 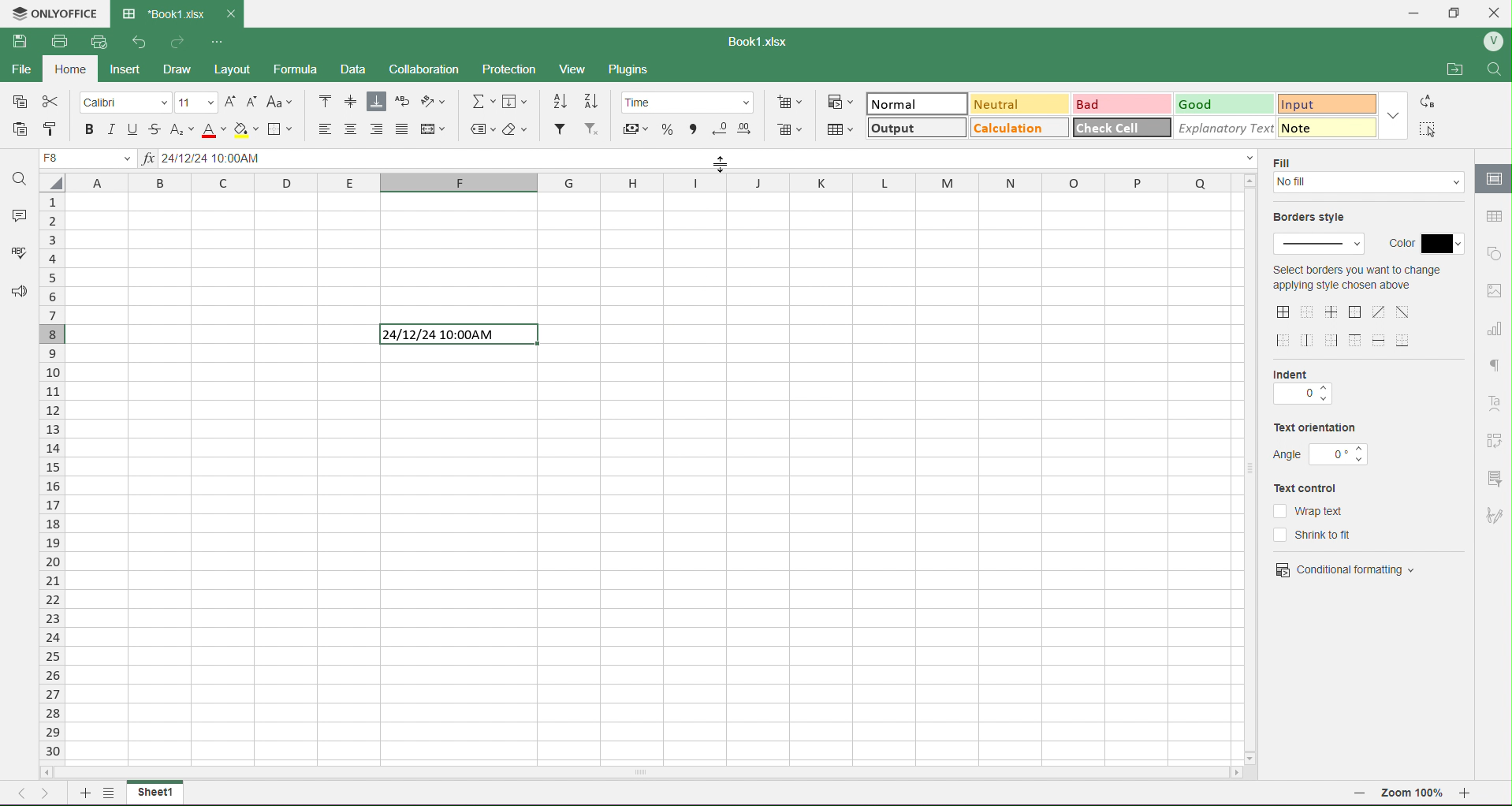 I want to click on Feedback and Support, so click(x=15, y=293).